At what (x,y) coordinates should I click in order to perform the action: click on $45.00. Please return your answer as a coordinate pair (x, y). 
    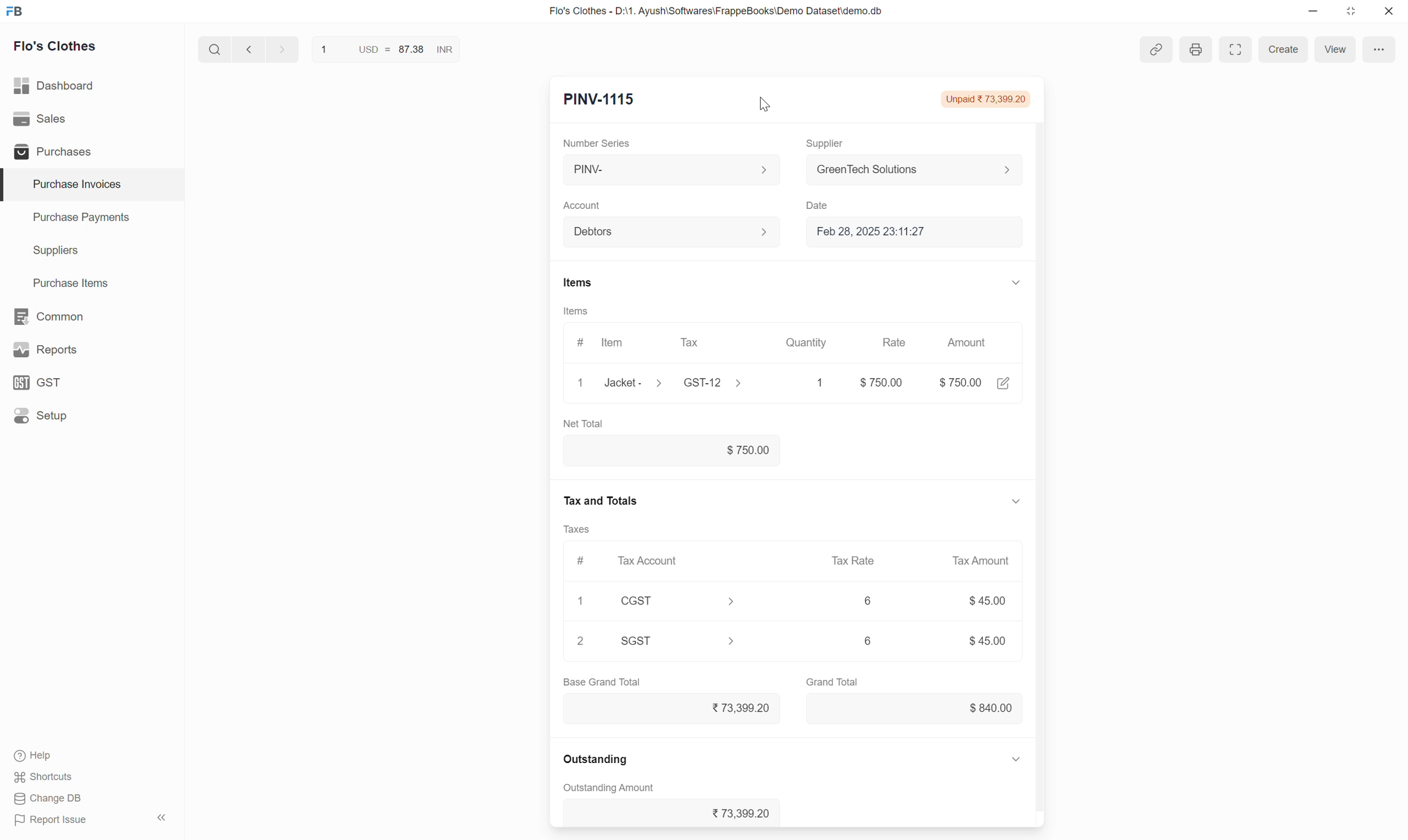
    Looking at the image, I should click on (987, 640).